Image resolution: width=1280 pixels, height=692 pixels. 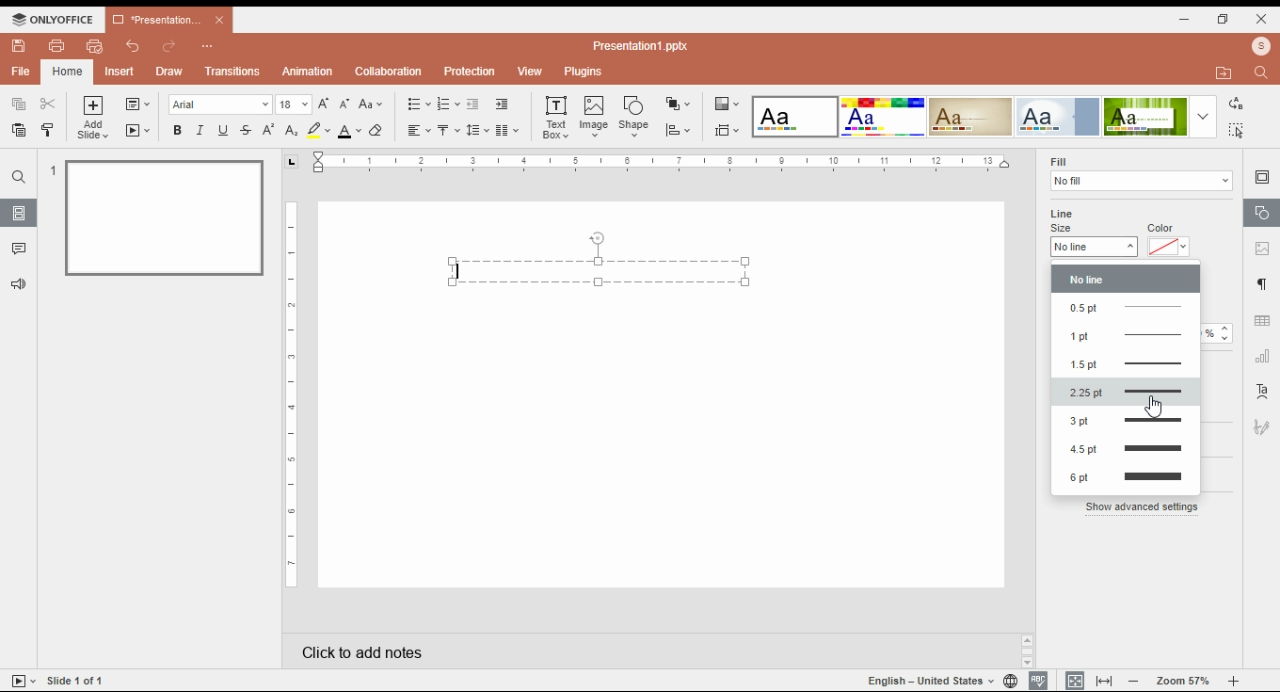 I want to click on table settings, so click(x=1264, y=322).